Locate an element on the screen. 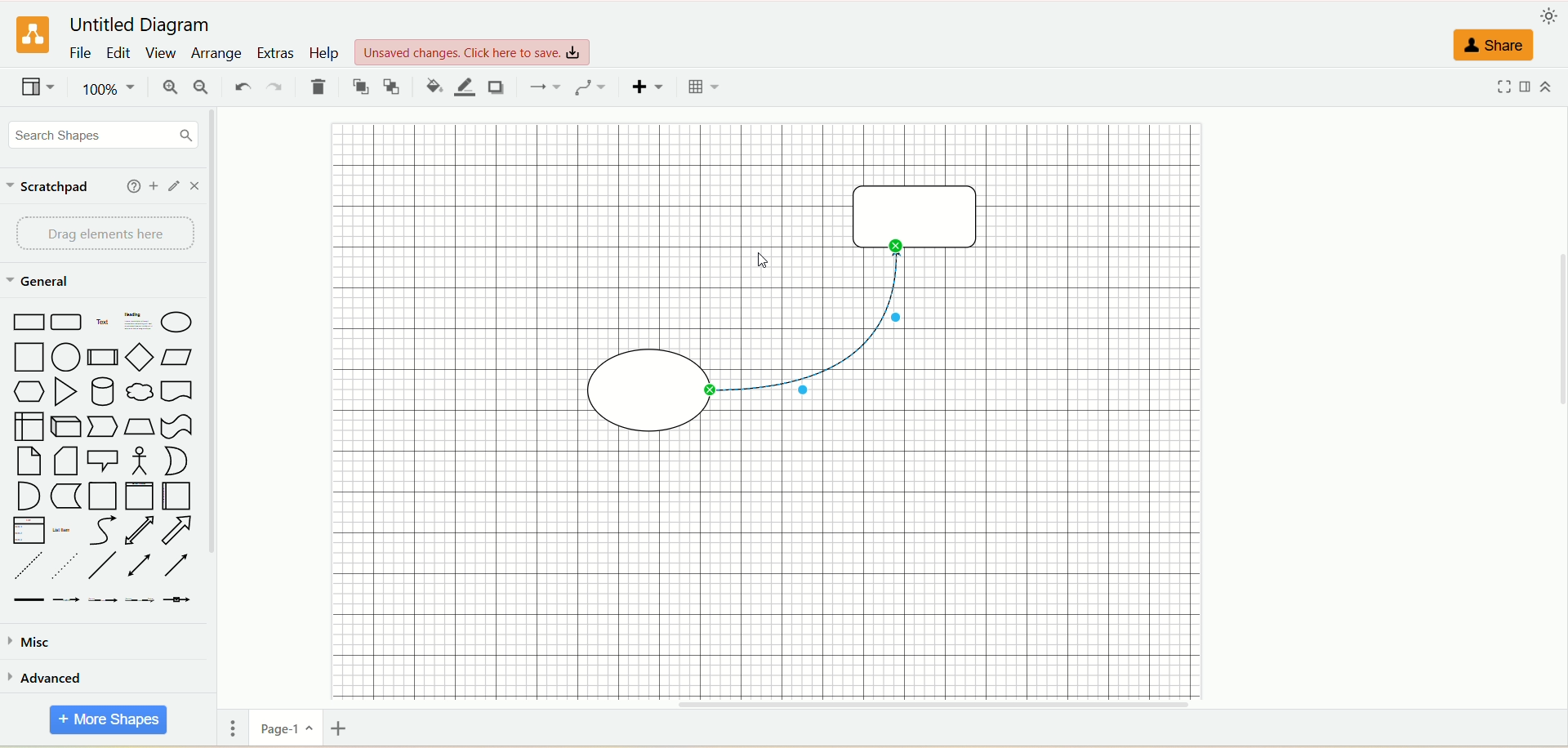 Image resolution: width=1568 pixels, height=748 pixels. close is located at coordinates (195, 186).